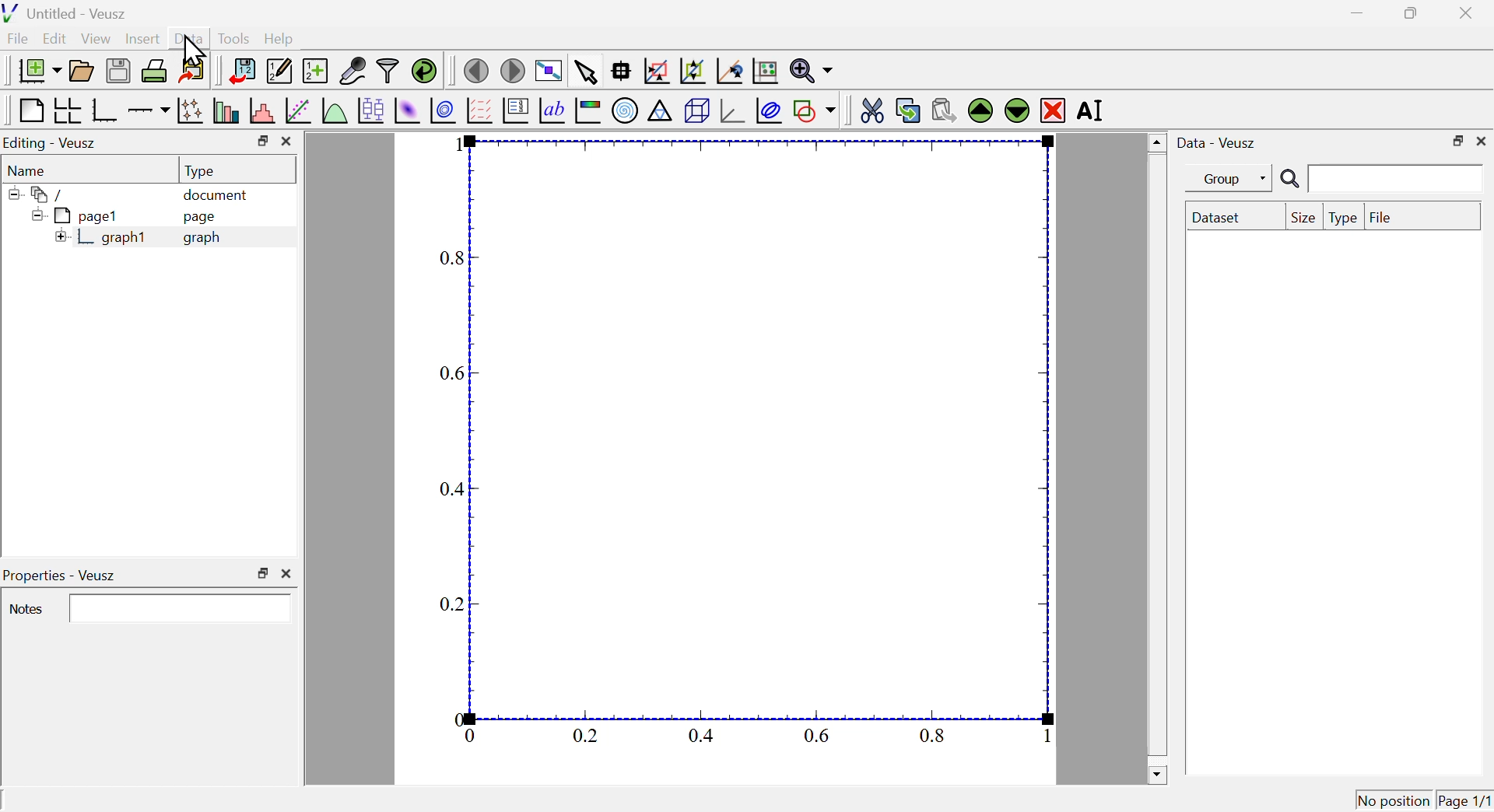 This screenshot has width=1494, height=812. Describe the element at coordinates (552, 113) in the screenshot. I see `text label` at that location.